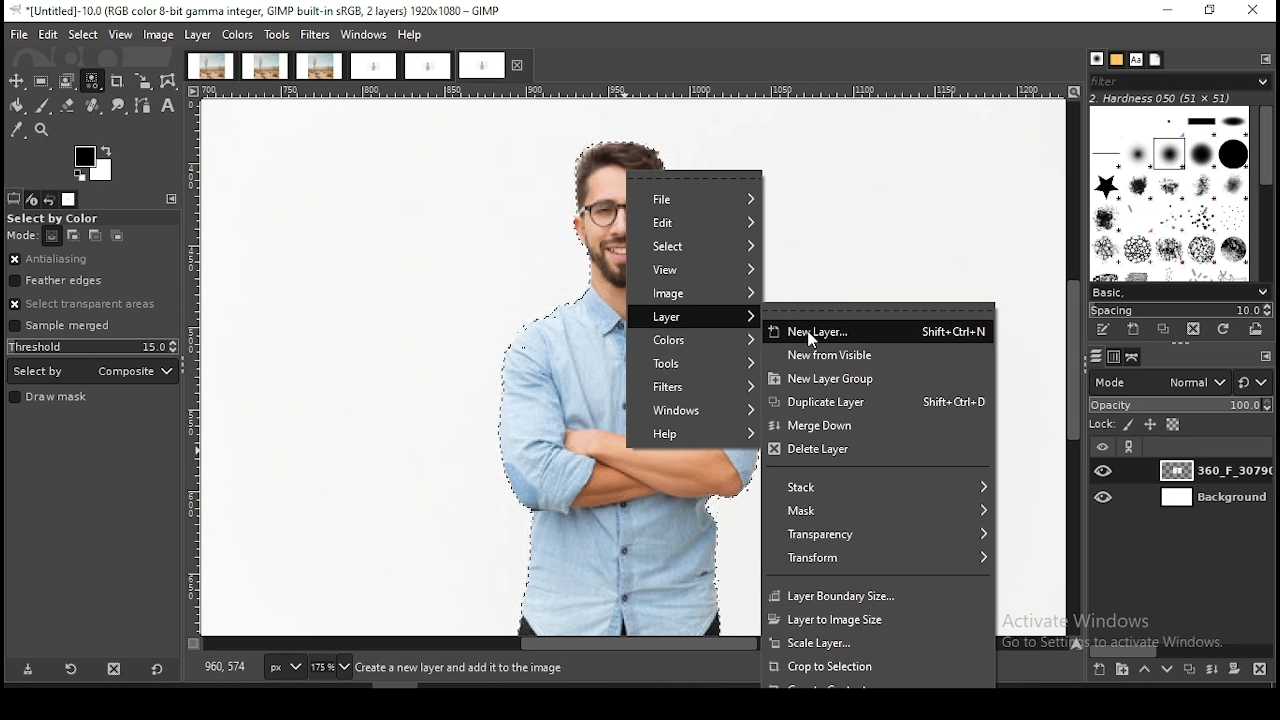 The width and height of the screenshot is (1280, 720). What do you see at coordinates (93, 371) in the screenshot?
I see `select by` at bounding box center [93, 371].